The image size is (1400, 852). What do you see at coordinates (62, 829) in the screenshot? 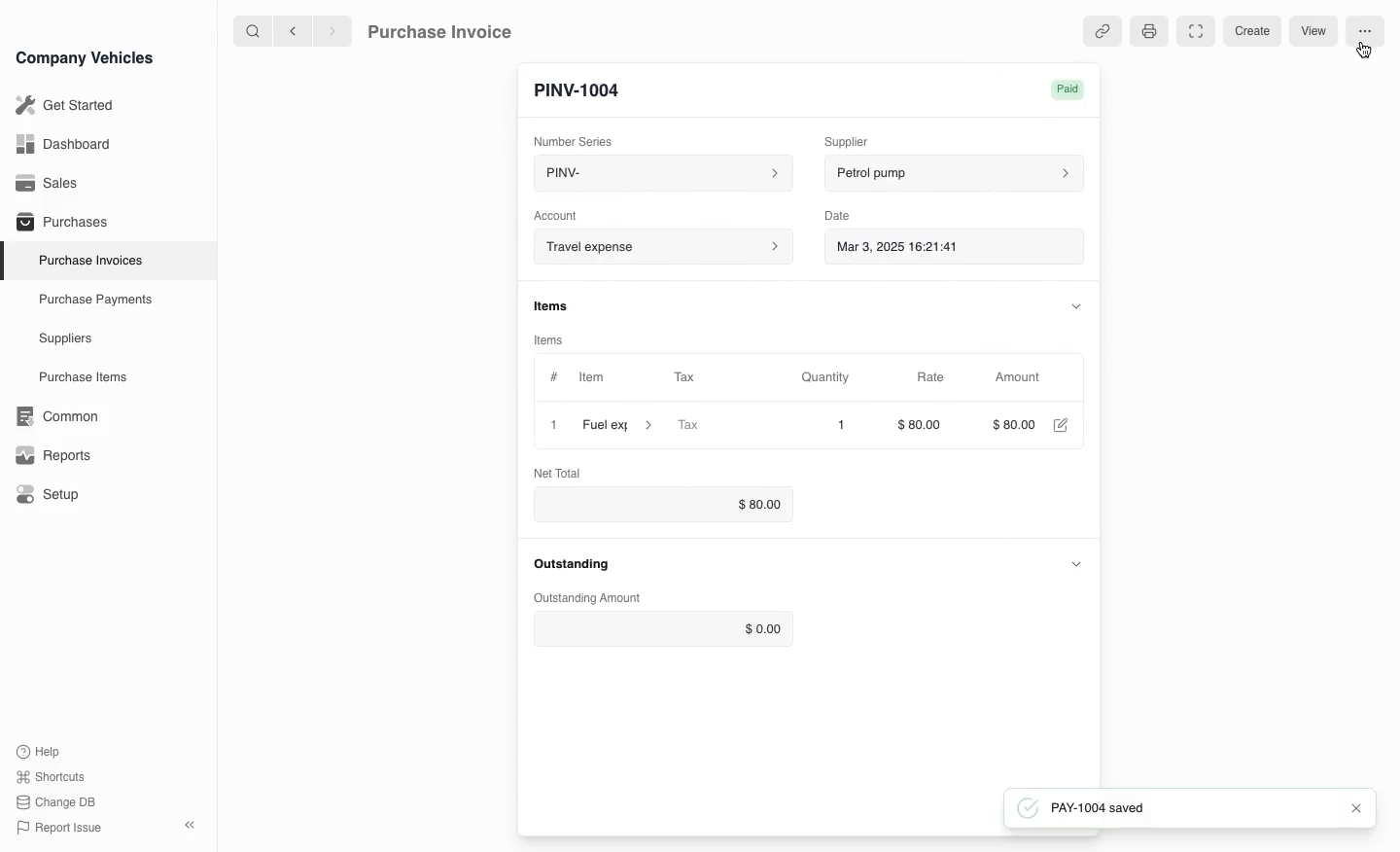
I see `Report issue` at bounding box center [62, 829].